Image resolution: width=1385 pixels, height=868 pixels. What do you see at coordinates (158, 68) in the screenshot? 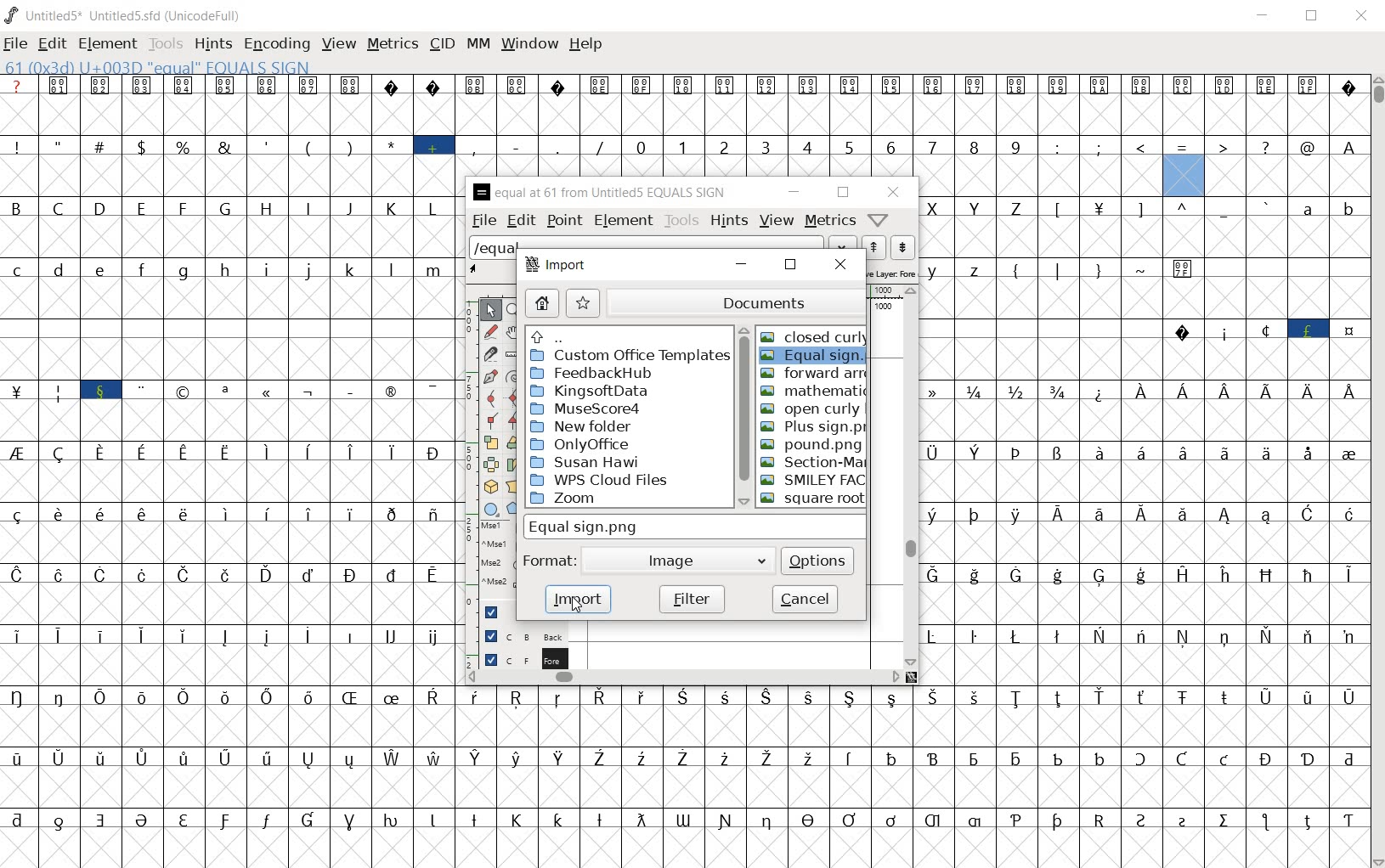
I see `61(0x3d) U+003D "EQUAL" EQUALS SIGN` at bounding box center [158, 68].